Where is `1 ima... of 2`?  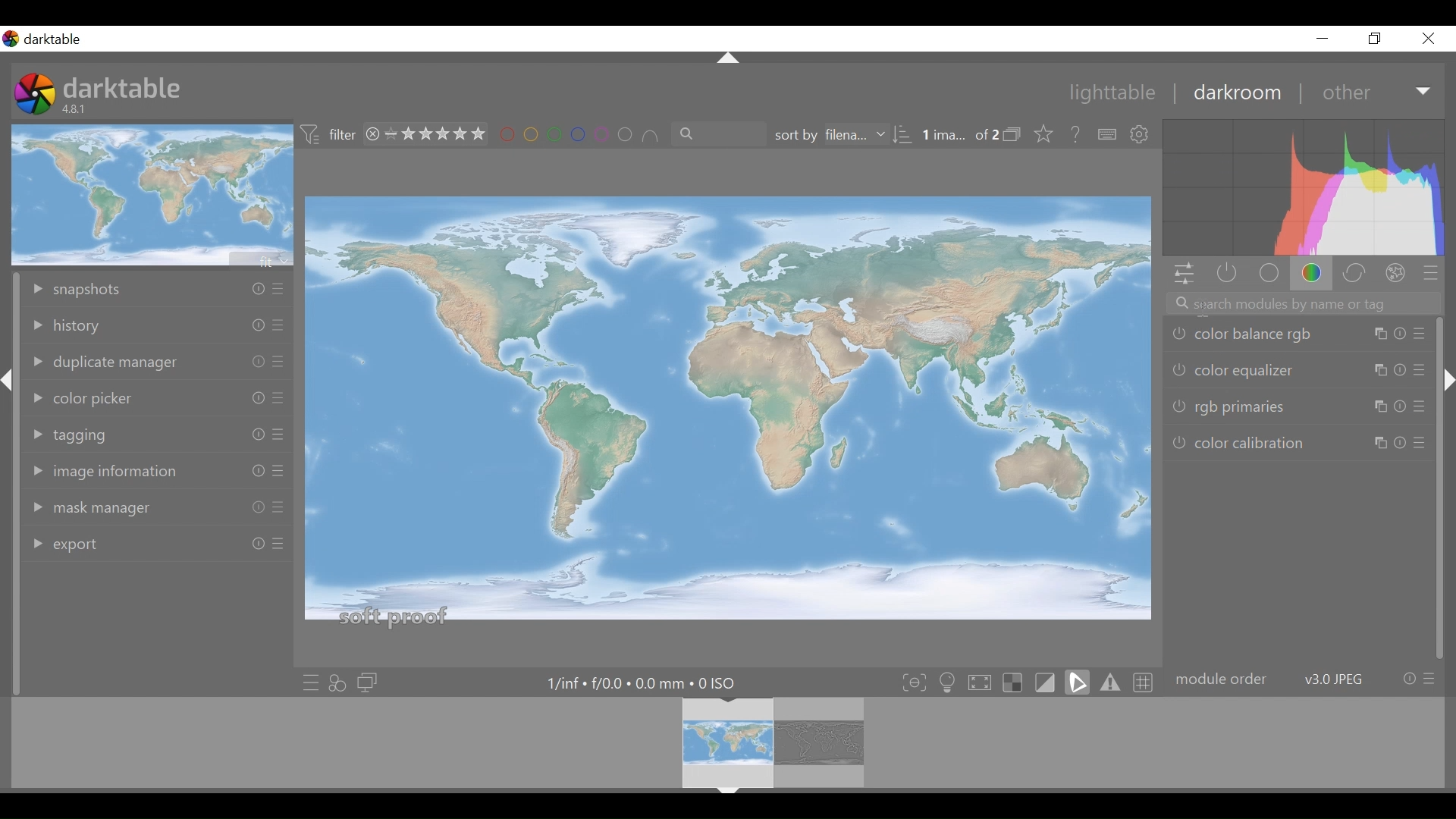
1 ima... of 2 is located at coordinates (958, 135).